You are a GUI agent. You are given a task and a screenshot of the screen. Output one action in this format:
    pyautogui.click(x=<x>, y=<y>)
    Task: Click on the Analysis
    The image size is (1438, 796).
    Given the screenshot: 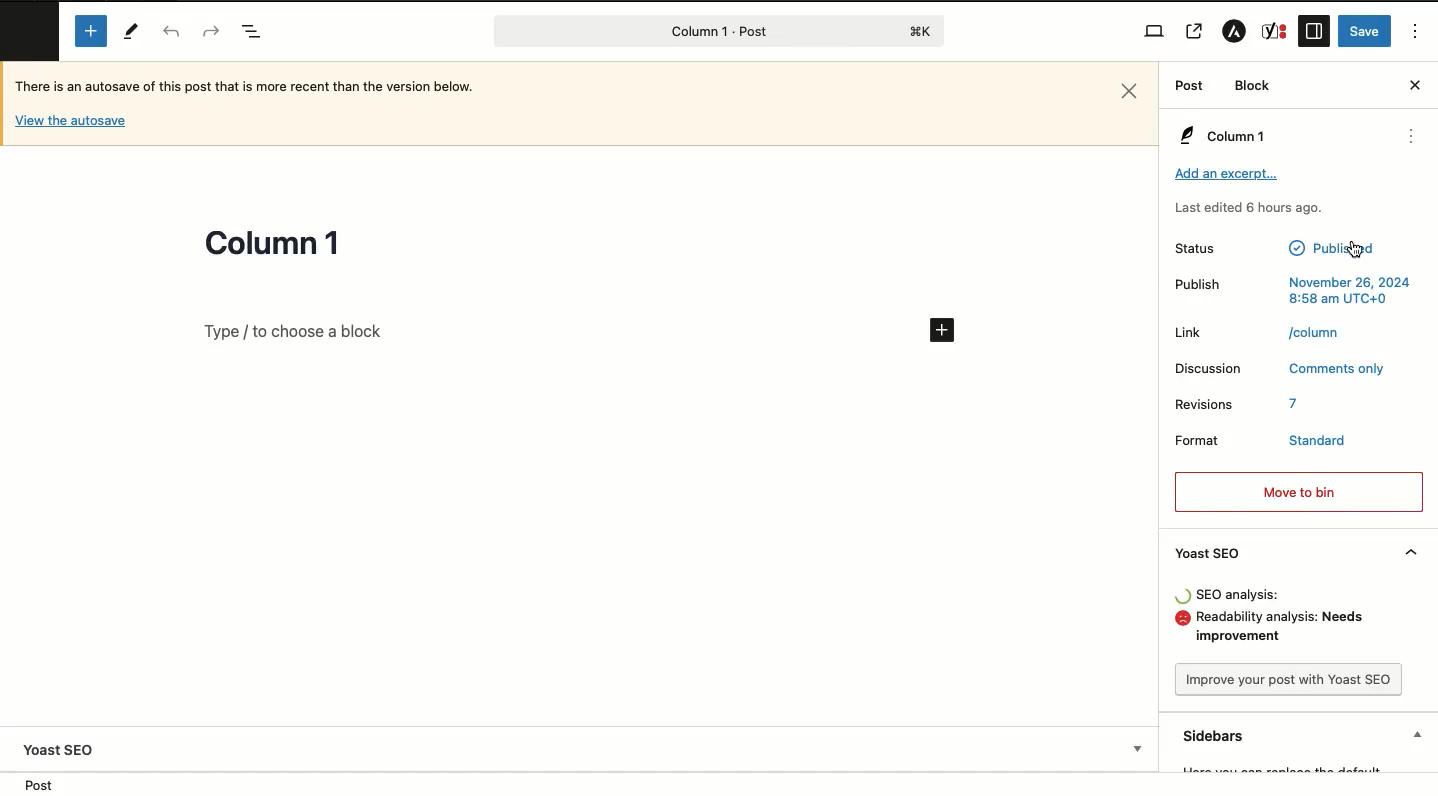 What is the action you would take?
    pyautogui.click(x=1286, y=630)
    